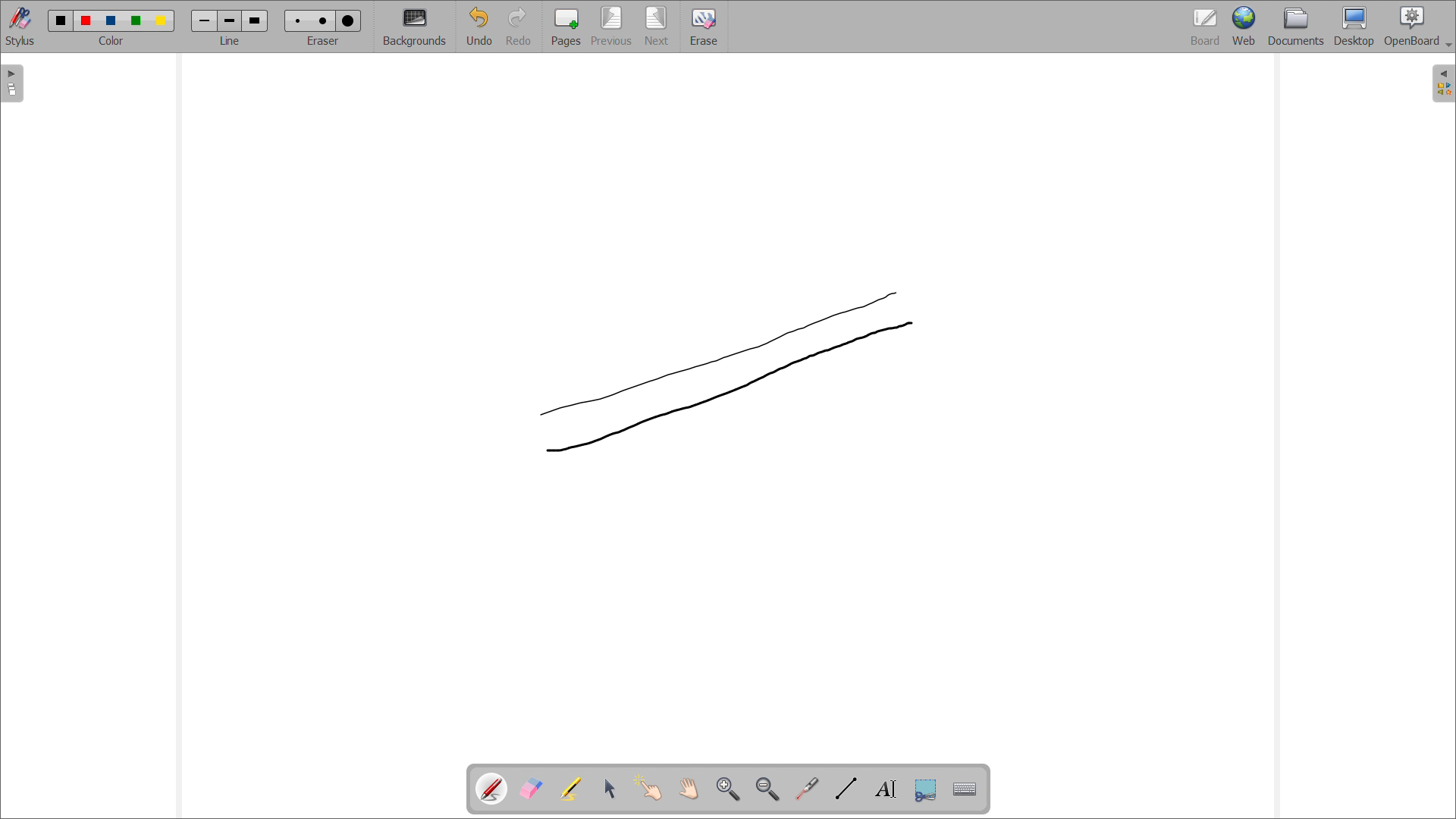 The height and width of the screenshot is (819, 1456). Describe the element at coordinates (479, 26) in the screenshot. I see `undo` at that location.